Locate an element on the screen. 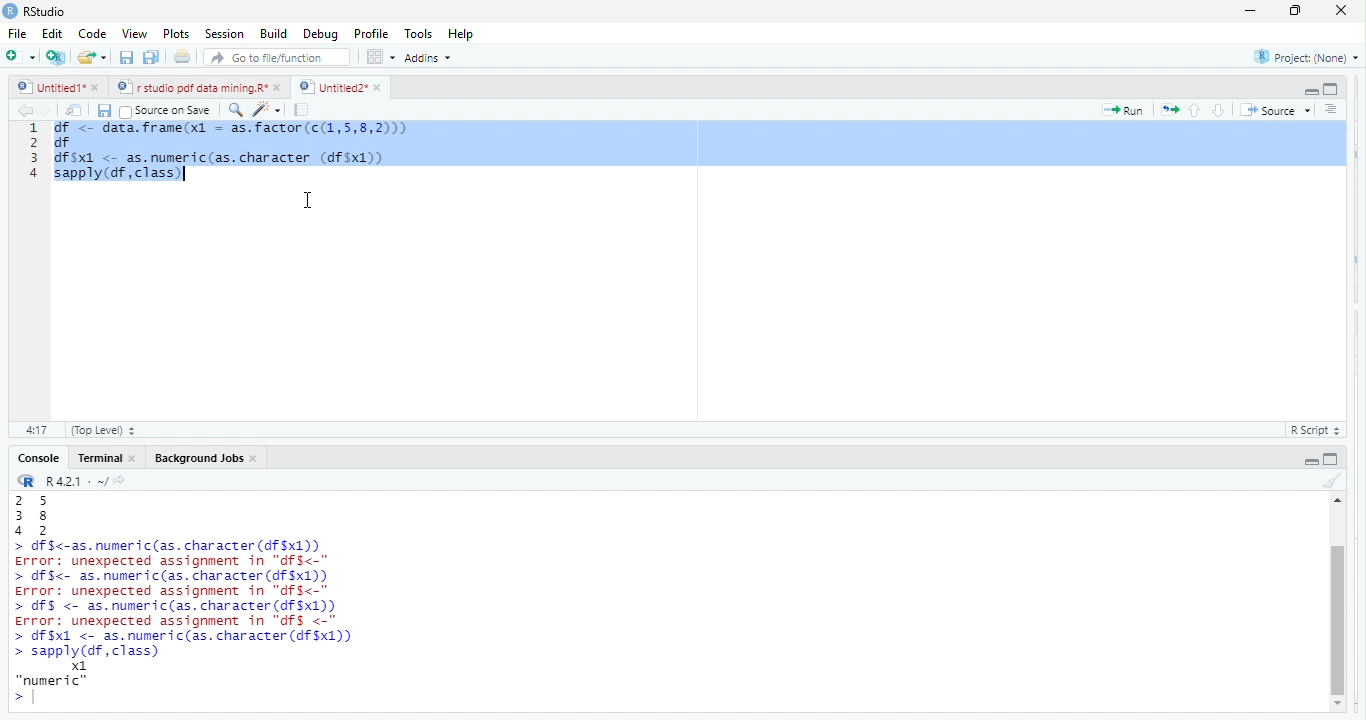  show in new window. is located at coordinates (76, 111).